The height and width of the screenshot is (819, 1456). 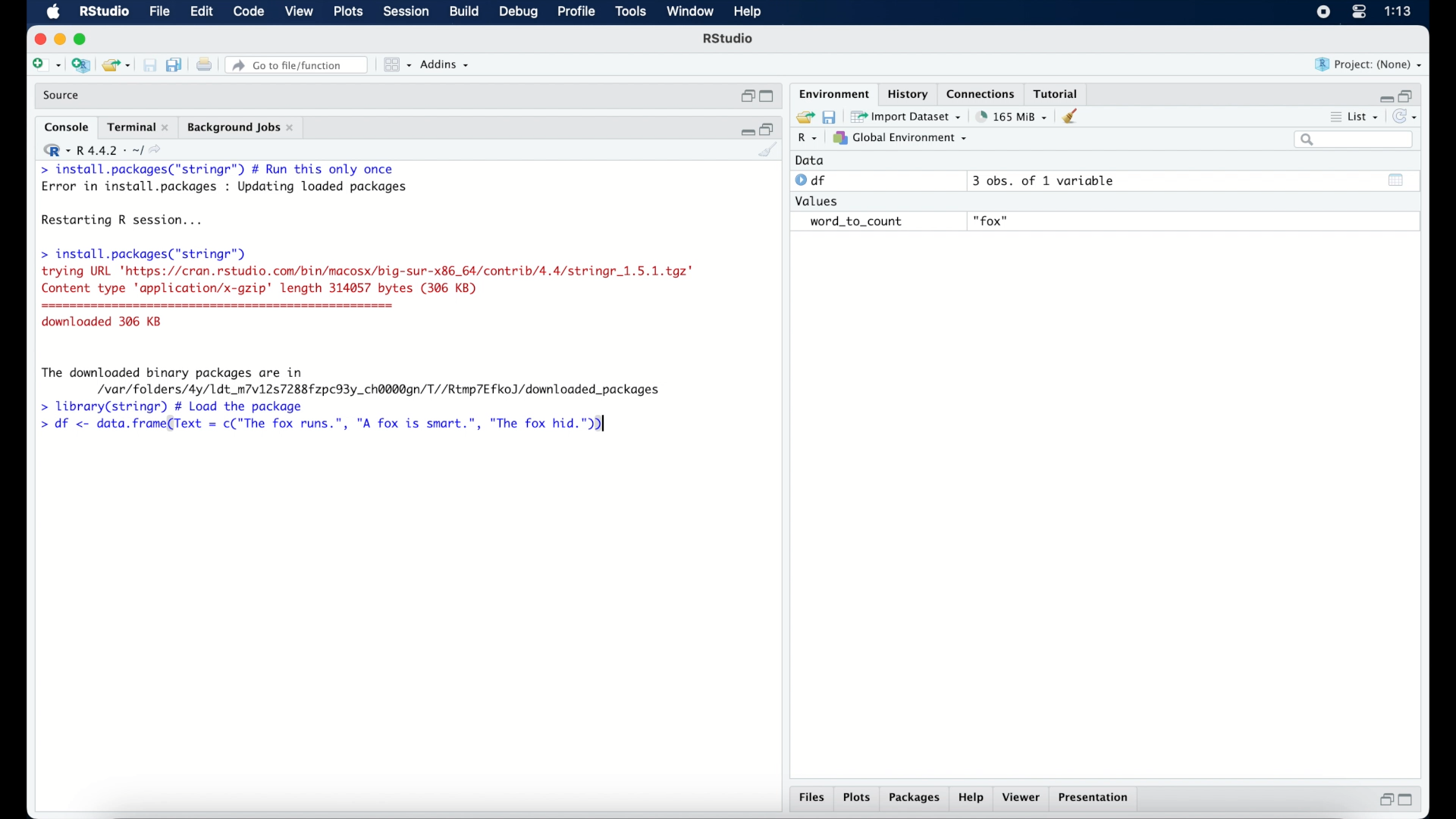 I want to click on minimize, so click(x=1384, y=98).